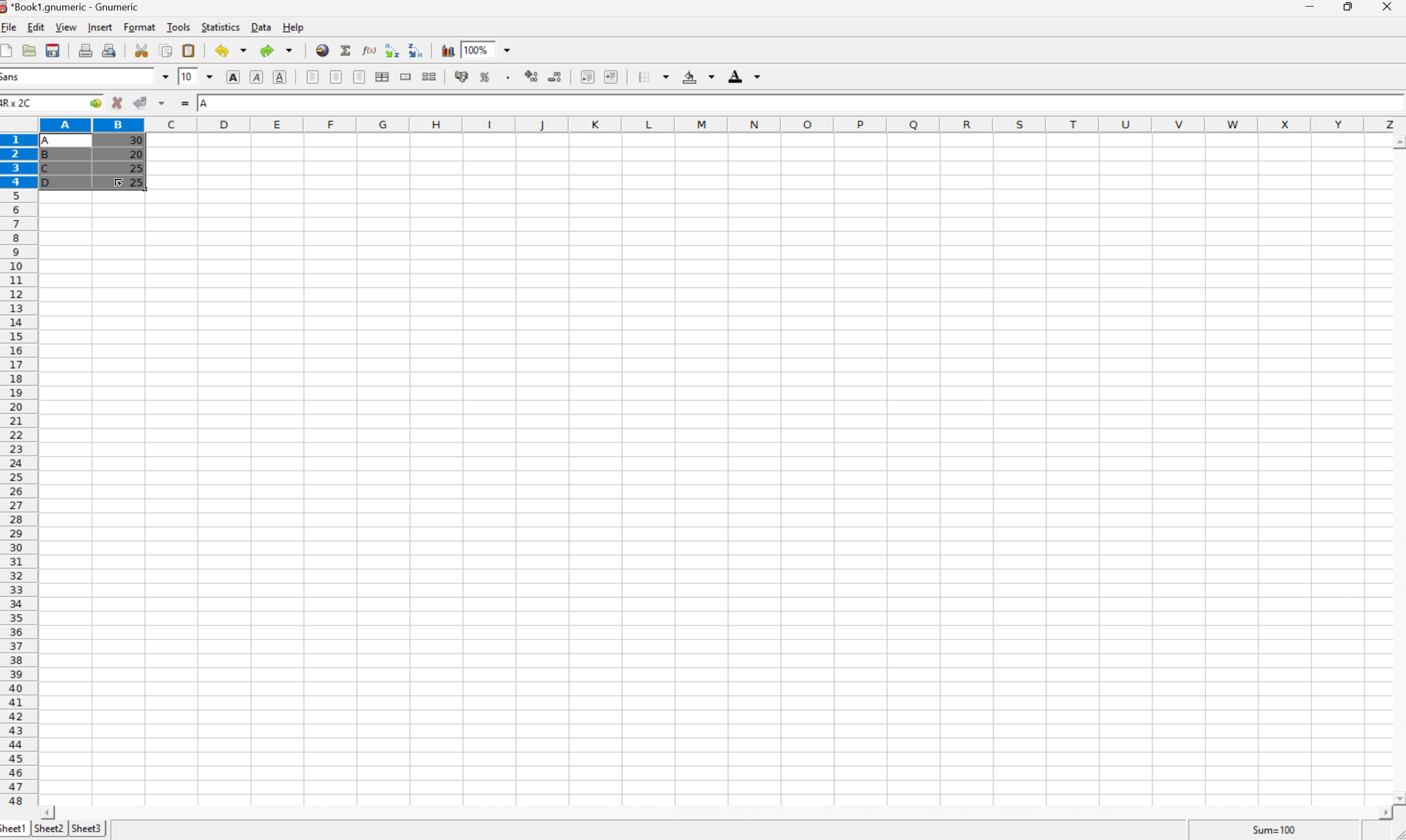  What do you see at coordinates (391, 49) in the screenshot?
I see `Sort the selected region in descending order based on the first column selected` at bounding box center [391, 49].